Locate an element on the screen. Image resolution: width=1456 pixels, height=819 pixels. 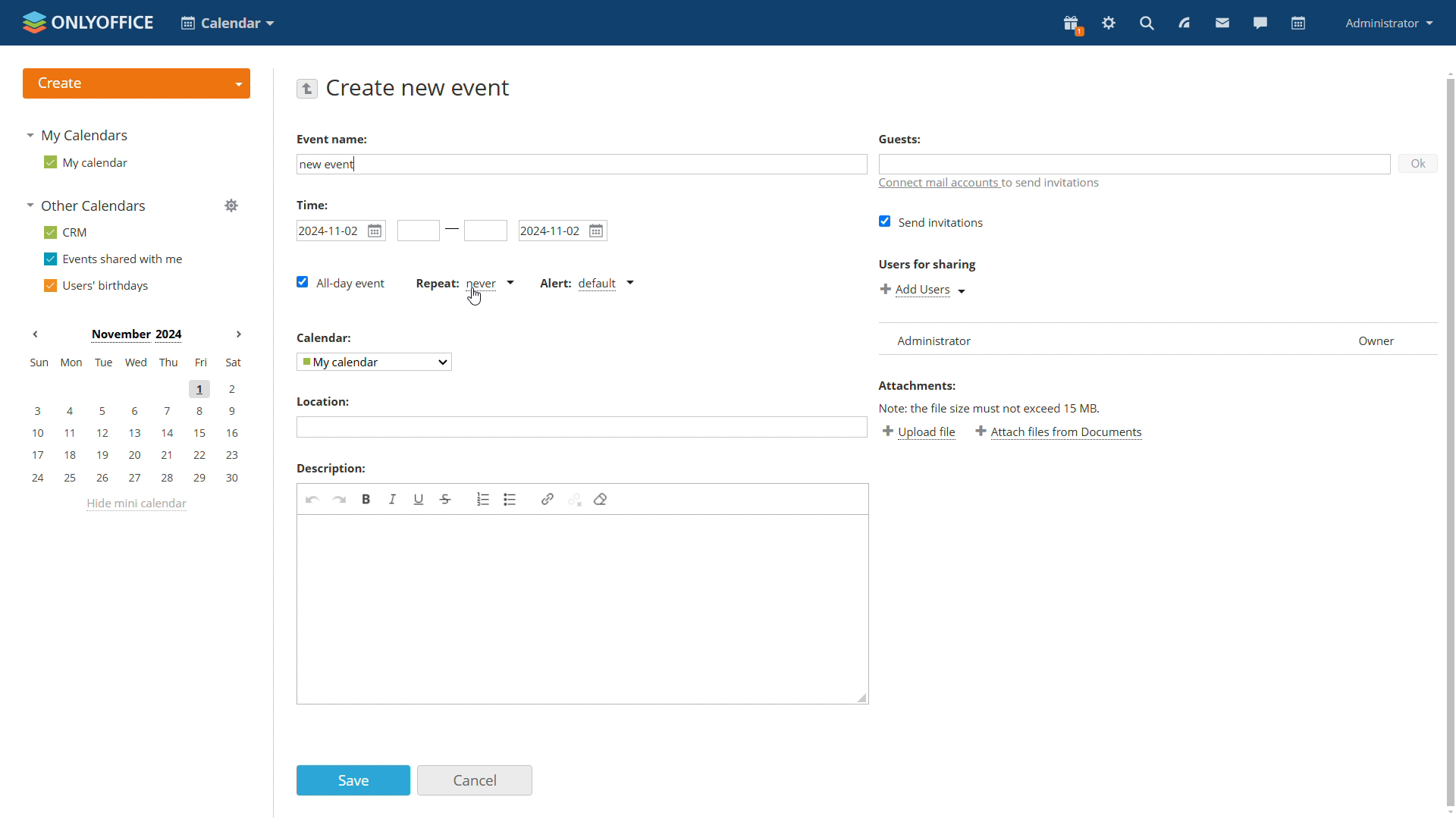
save is located at coordinates (353, 781).